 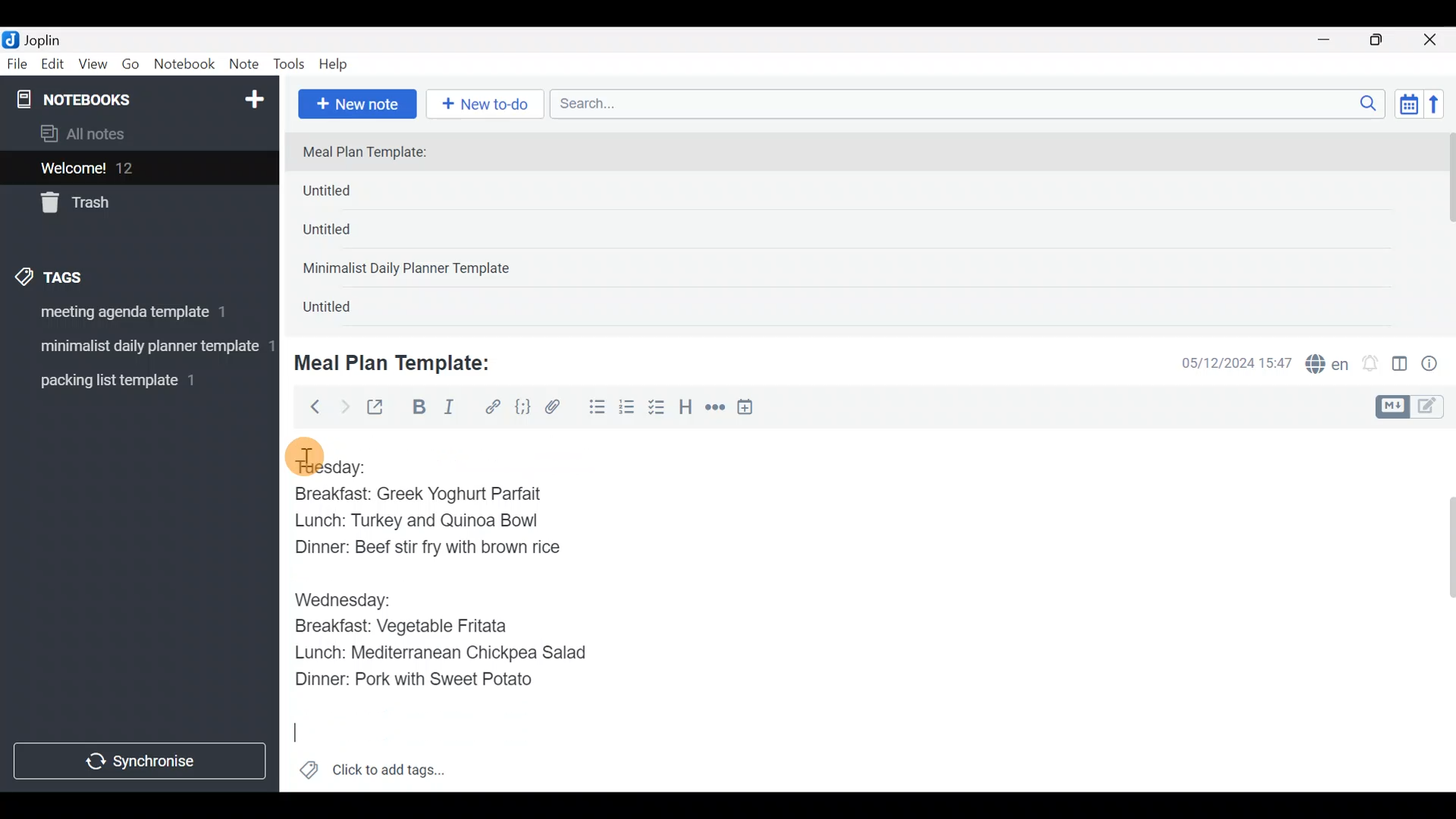 I want to click on Back, so click(x=309, y=406).